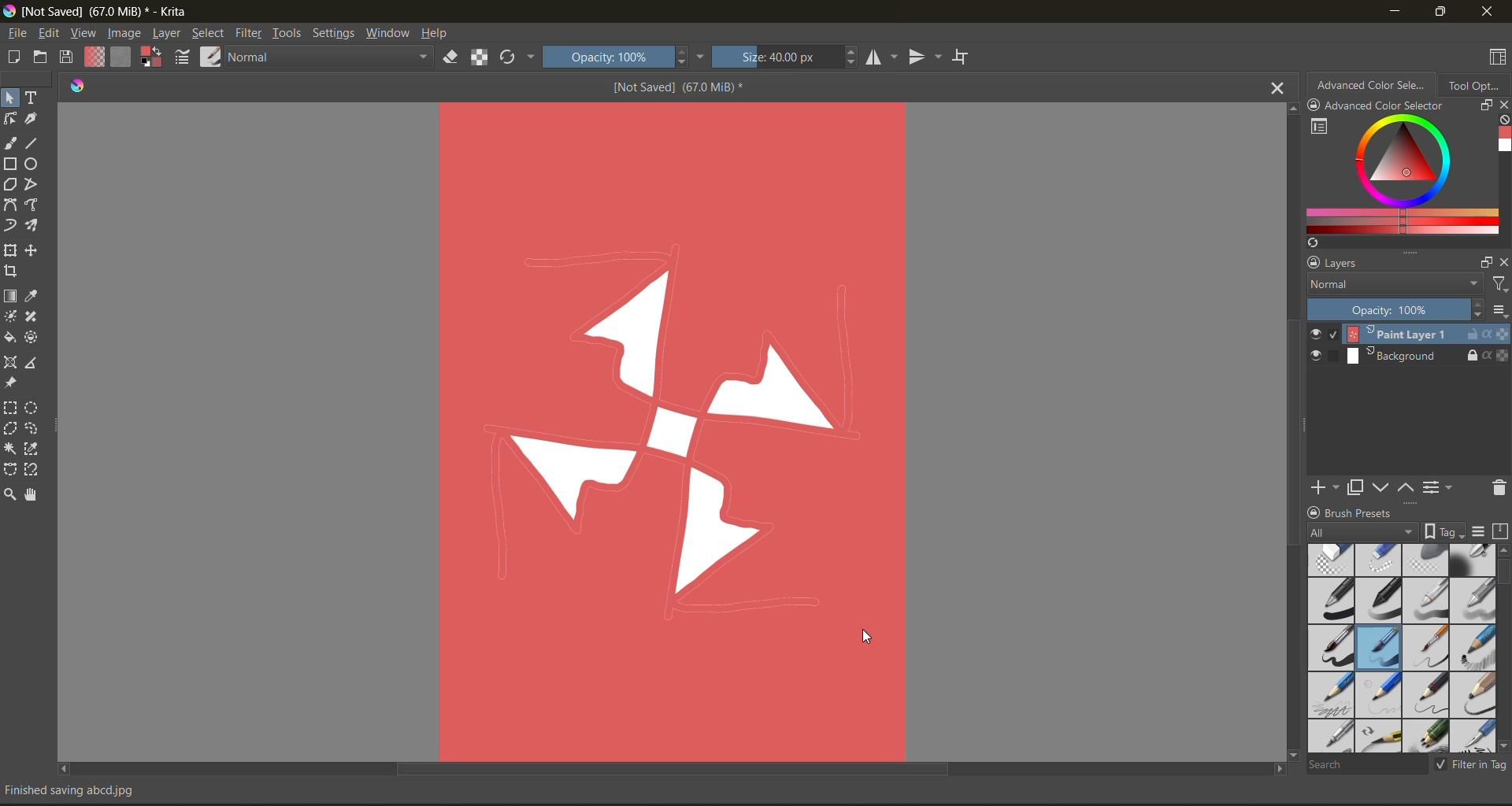 The width and height of the screenshot is (1512, 806). I want to click on search, so click(1368, 765).